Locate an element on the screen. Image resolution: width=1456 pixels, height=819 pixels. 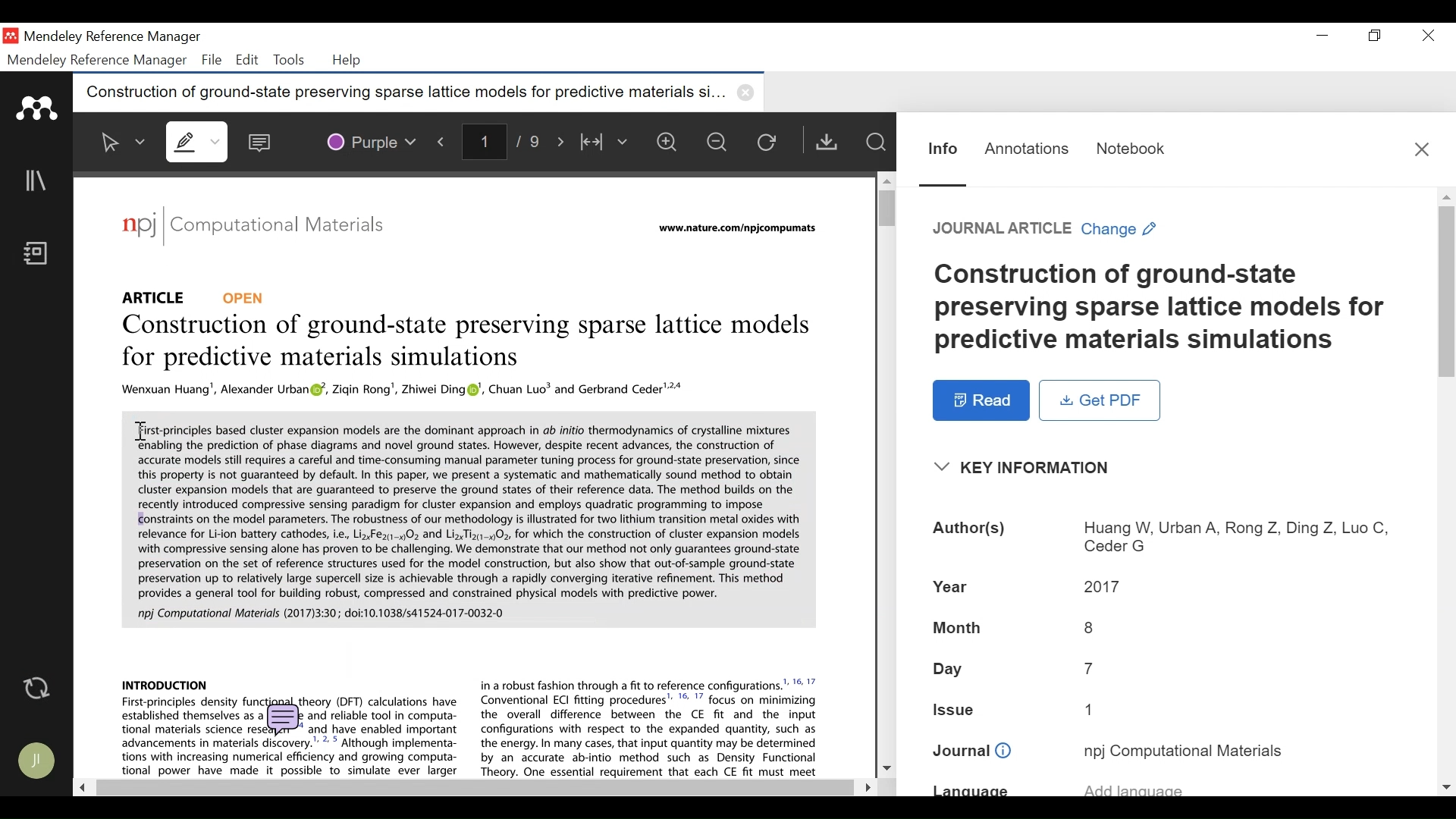
Tools is located at coordinates (287, 60).